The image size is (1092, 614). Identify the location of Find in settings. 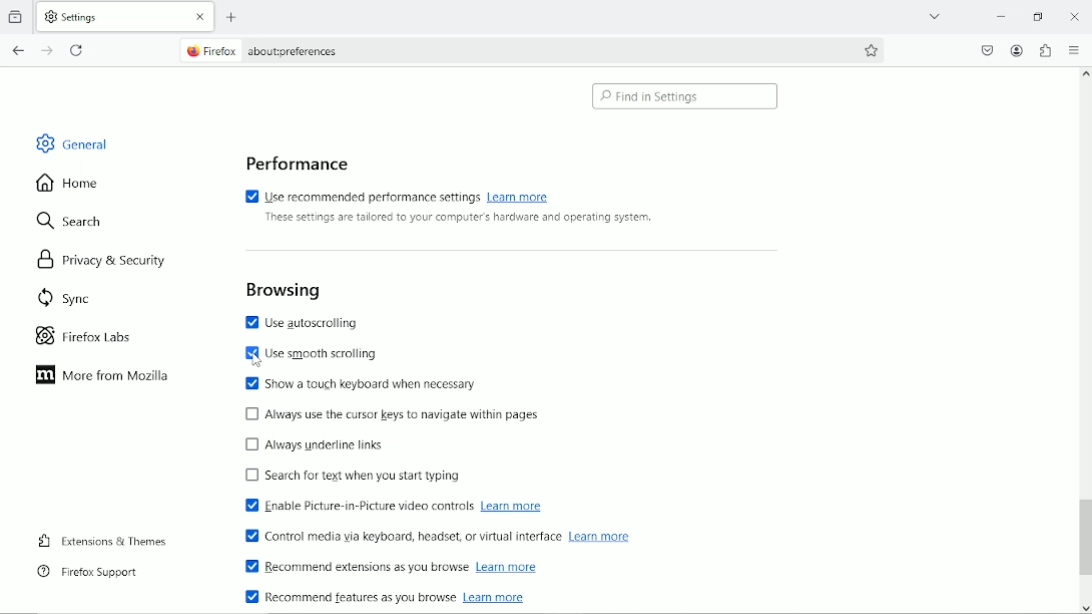
(686, 97).